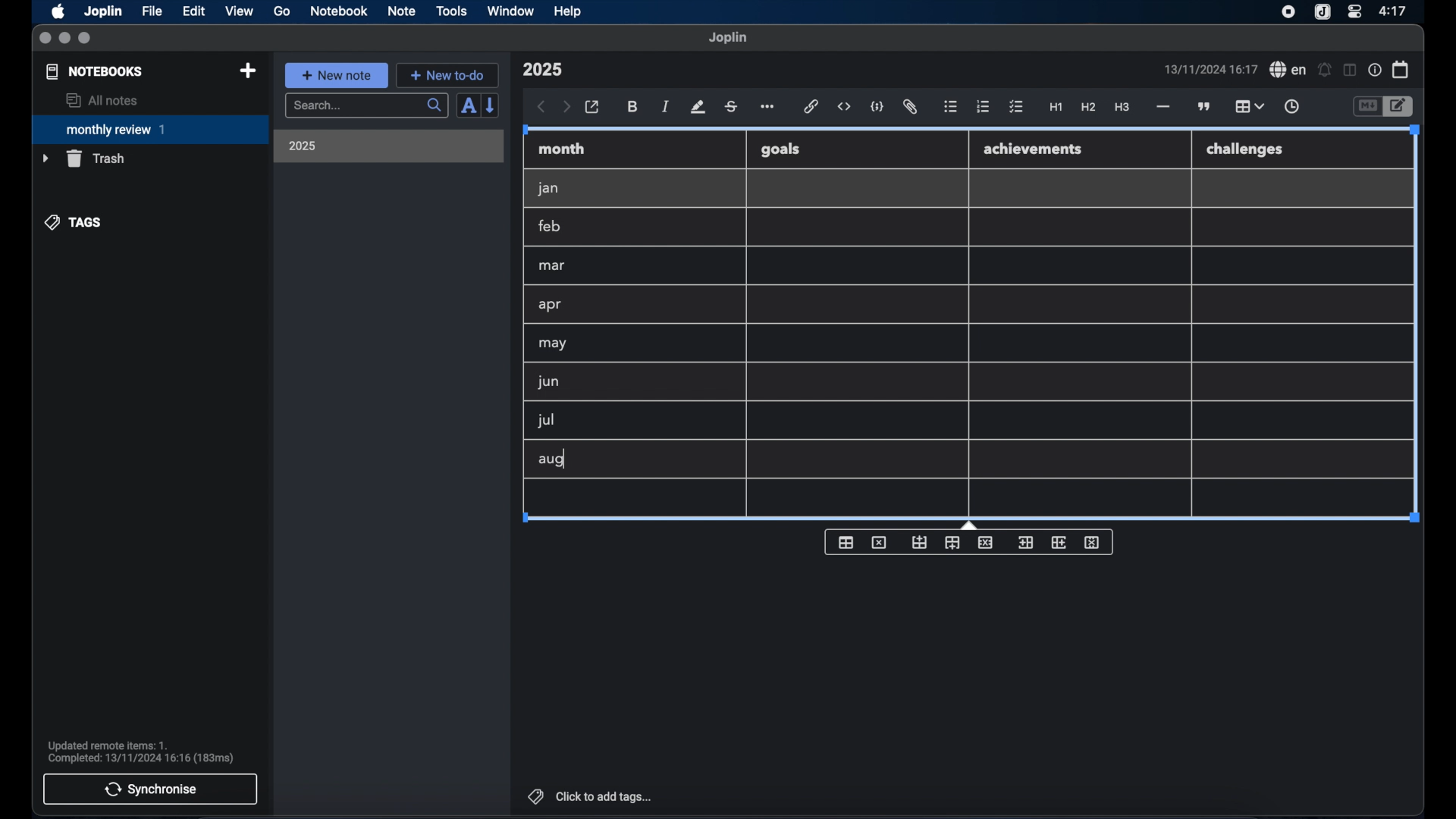 The image size is (1456, 819). What do you see at coordinates (74, 222) in the screenshot?
I see `tags` at bounding box center [74, 222].